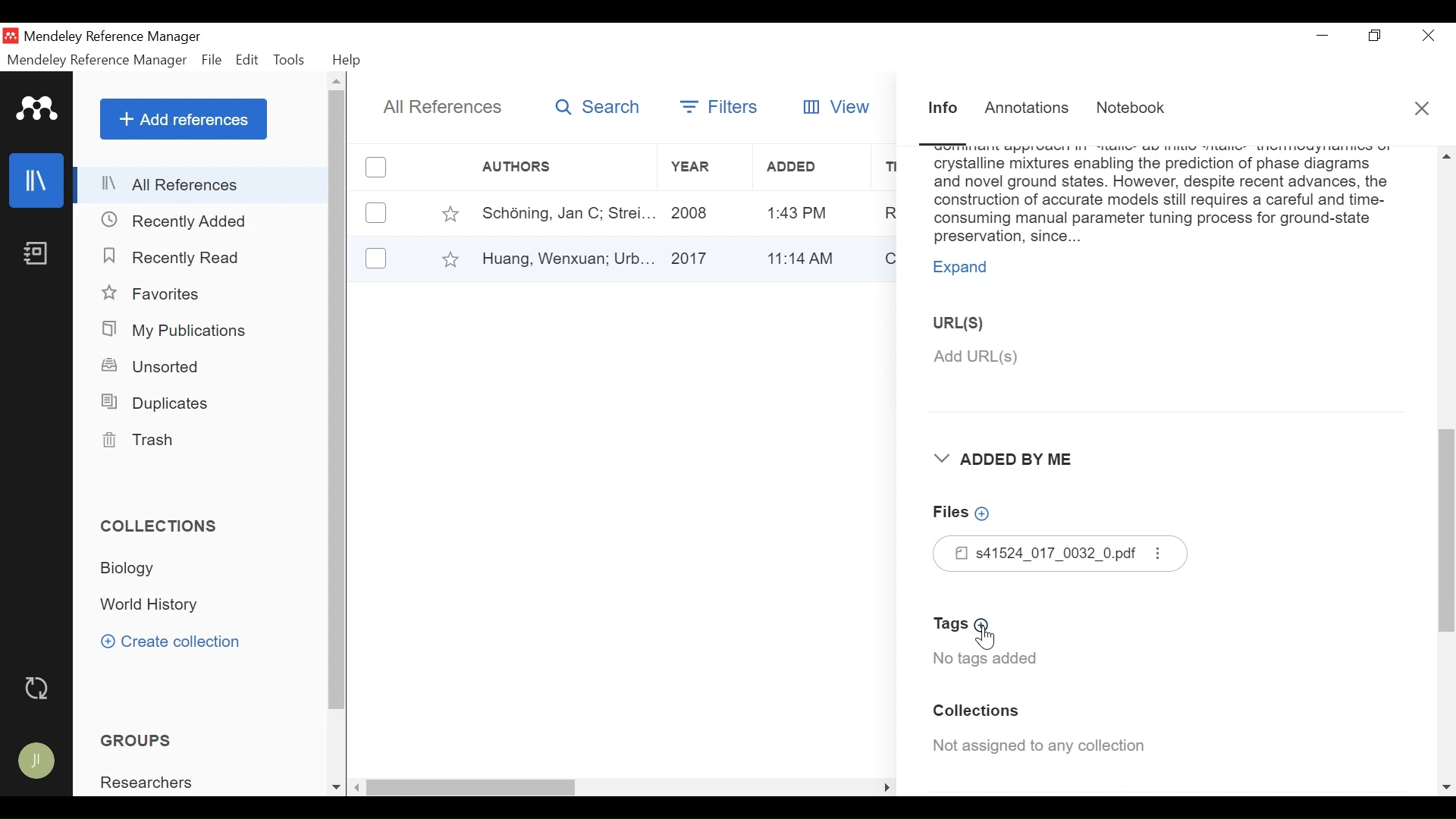  I want to click on (un)select, so click(376, 258).